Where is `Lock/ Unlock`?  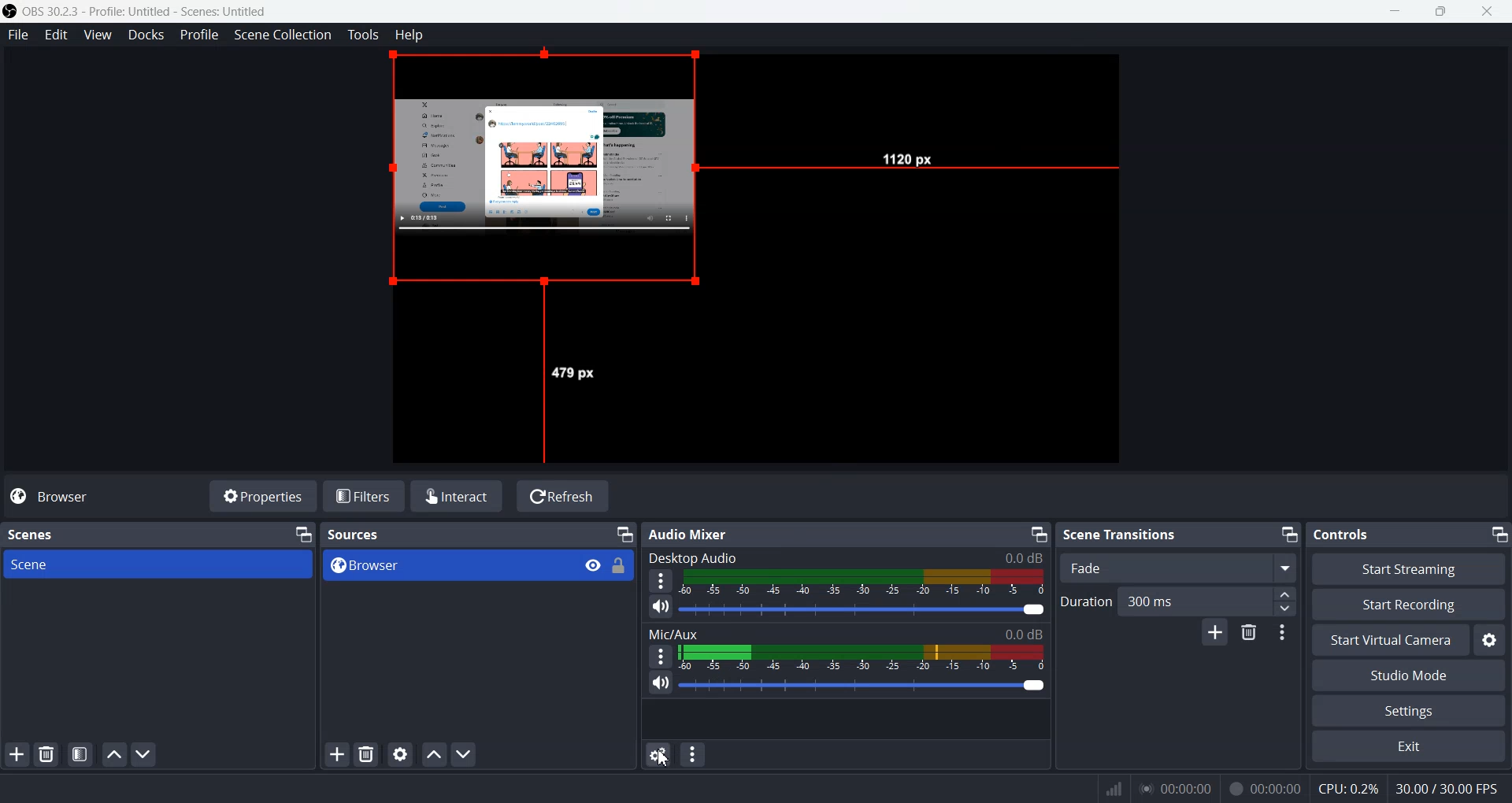 Lock/ Unlock is located at coordinates (620, 565).